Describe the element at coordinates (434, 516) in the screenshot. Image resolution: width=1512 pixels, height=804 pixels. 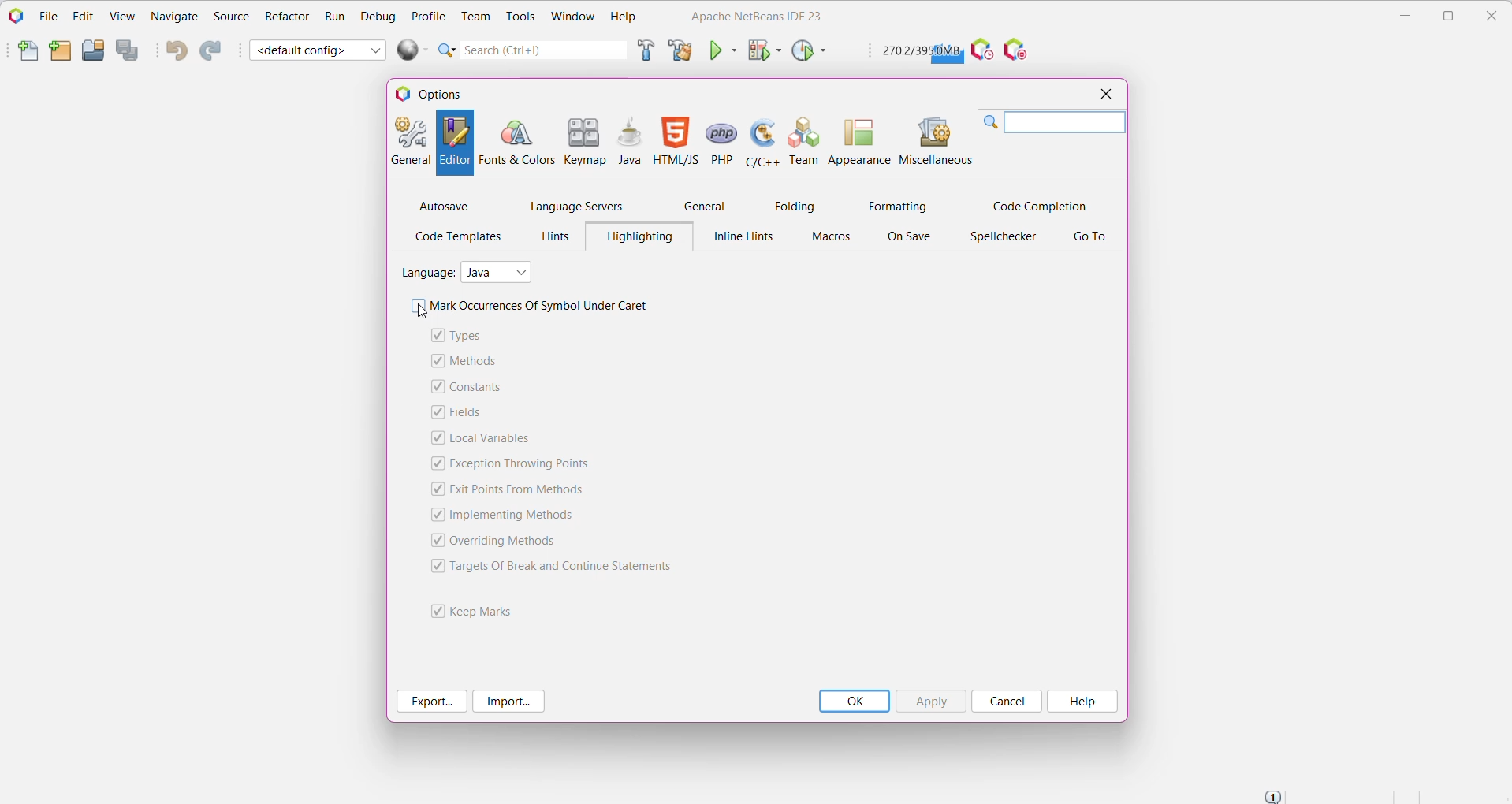
I see `checkbox` at that location.